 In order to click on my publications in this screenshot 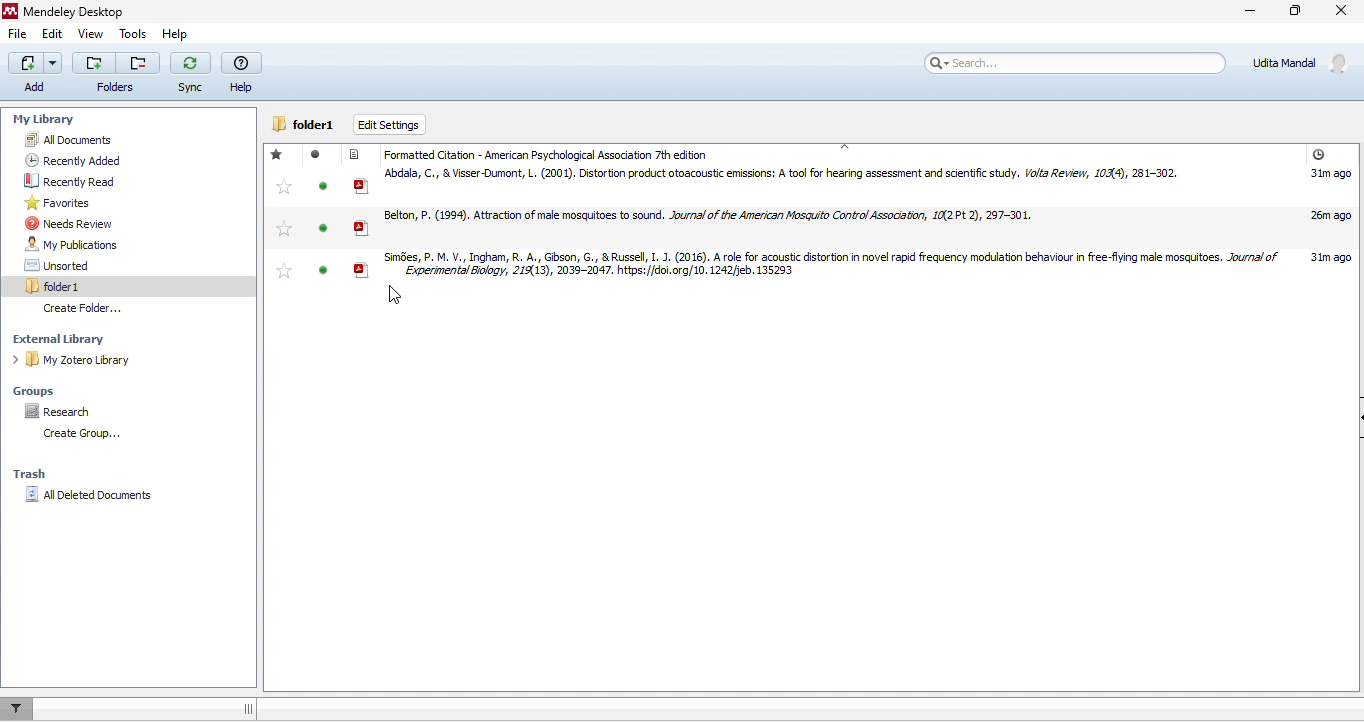, I will do `click(88, 244)`.